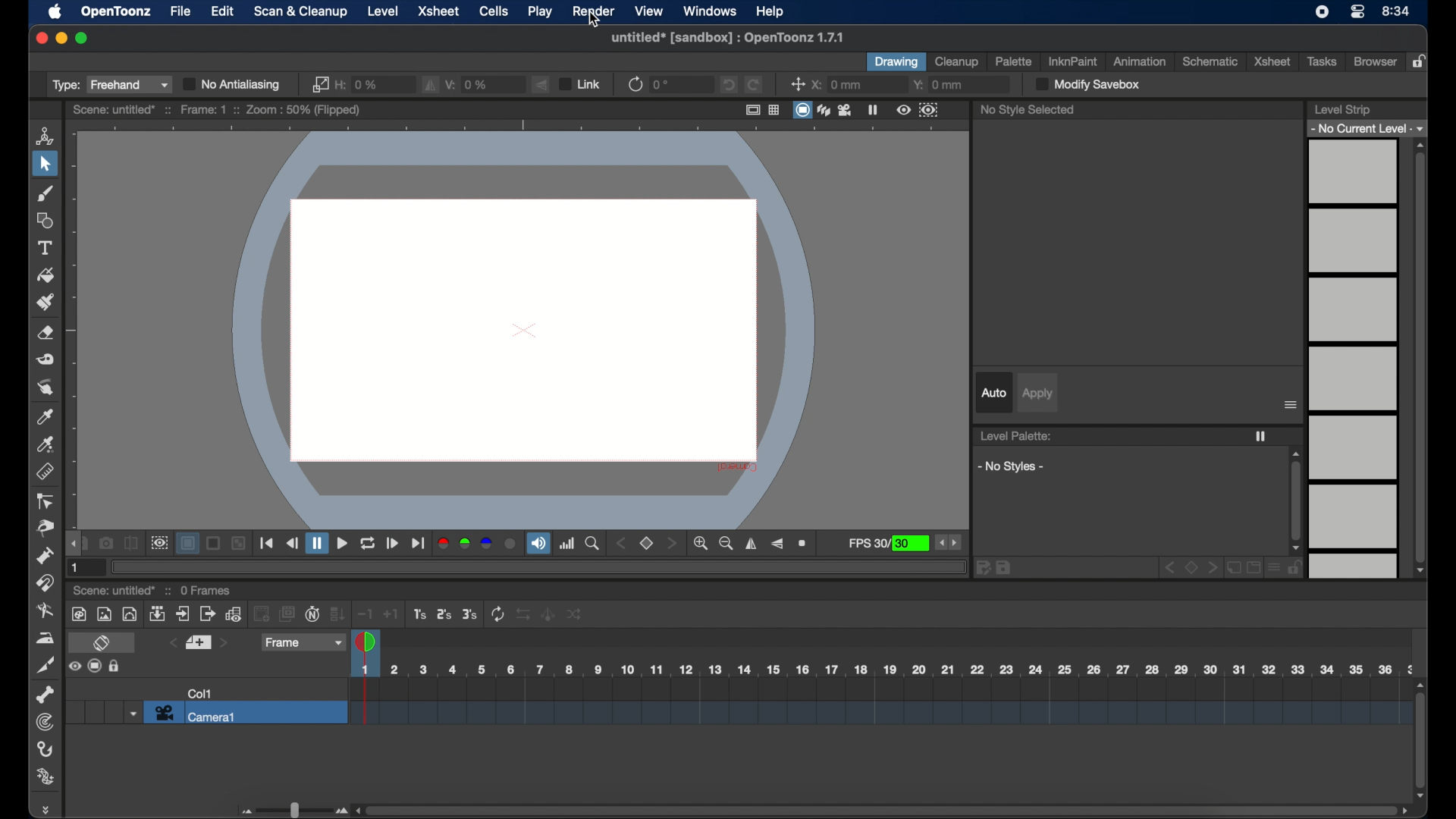 This screenshot has height=819, width=1456. I want to click on , so click(365, 613).